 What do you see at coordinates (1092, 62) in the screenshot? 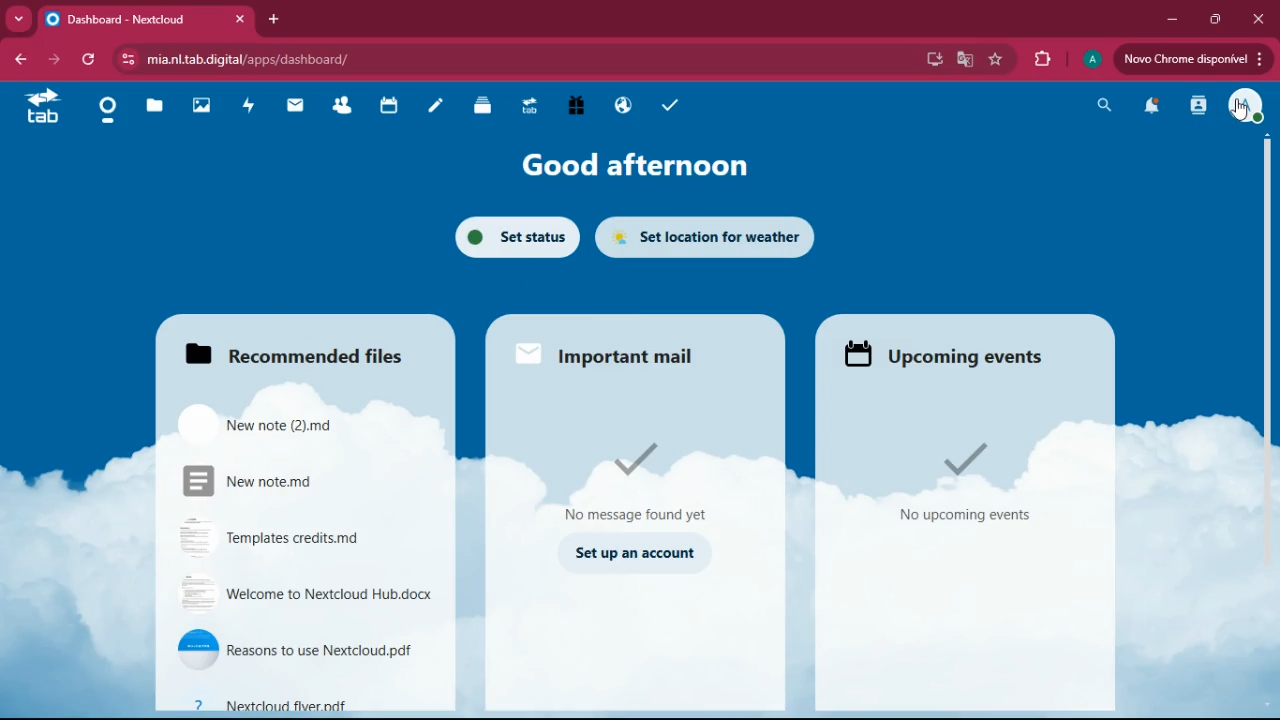
I see `profile` at bounding box center [1092, 62].